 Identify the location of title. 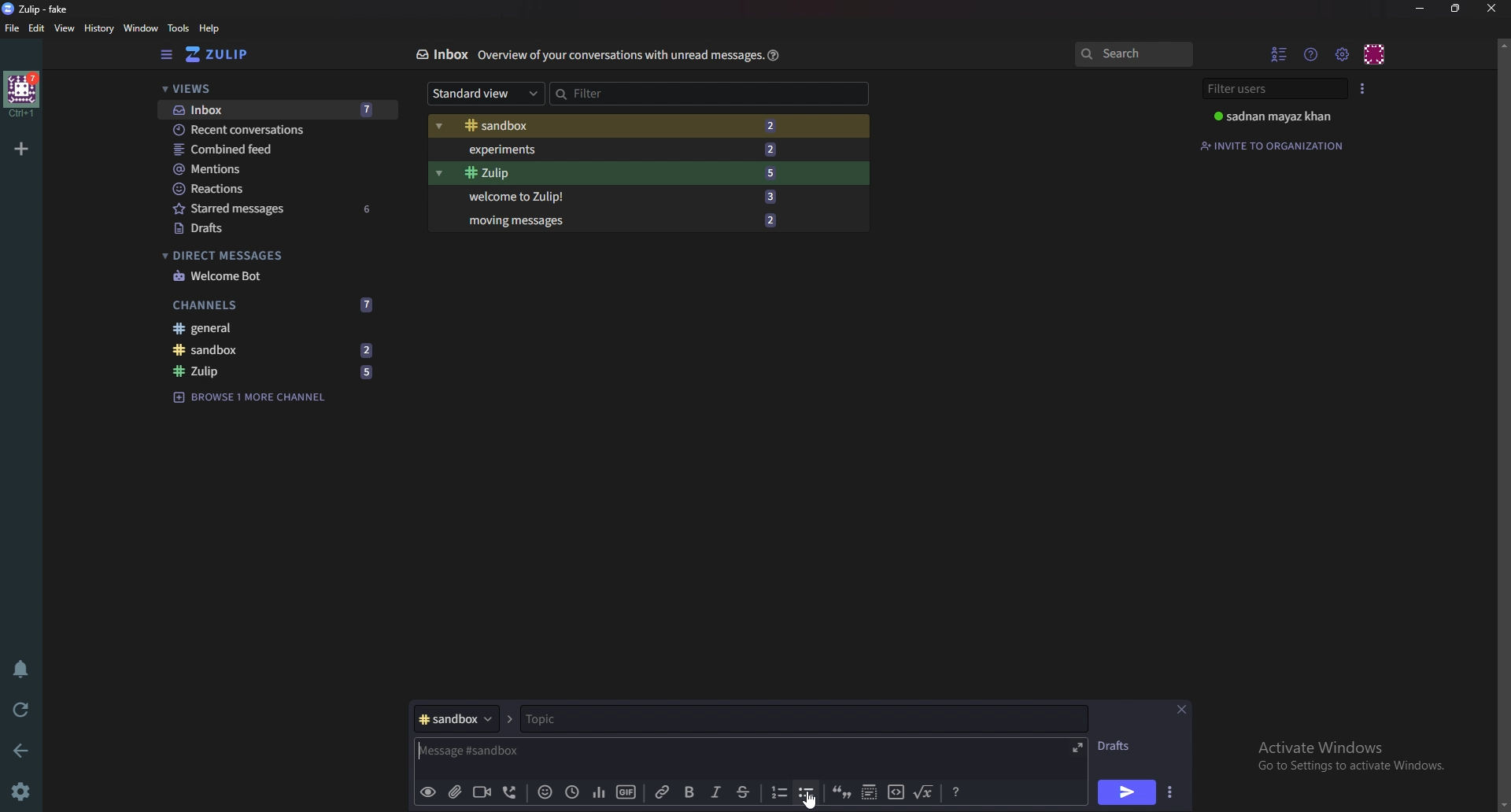
(43, 9).